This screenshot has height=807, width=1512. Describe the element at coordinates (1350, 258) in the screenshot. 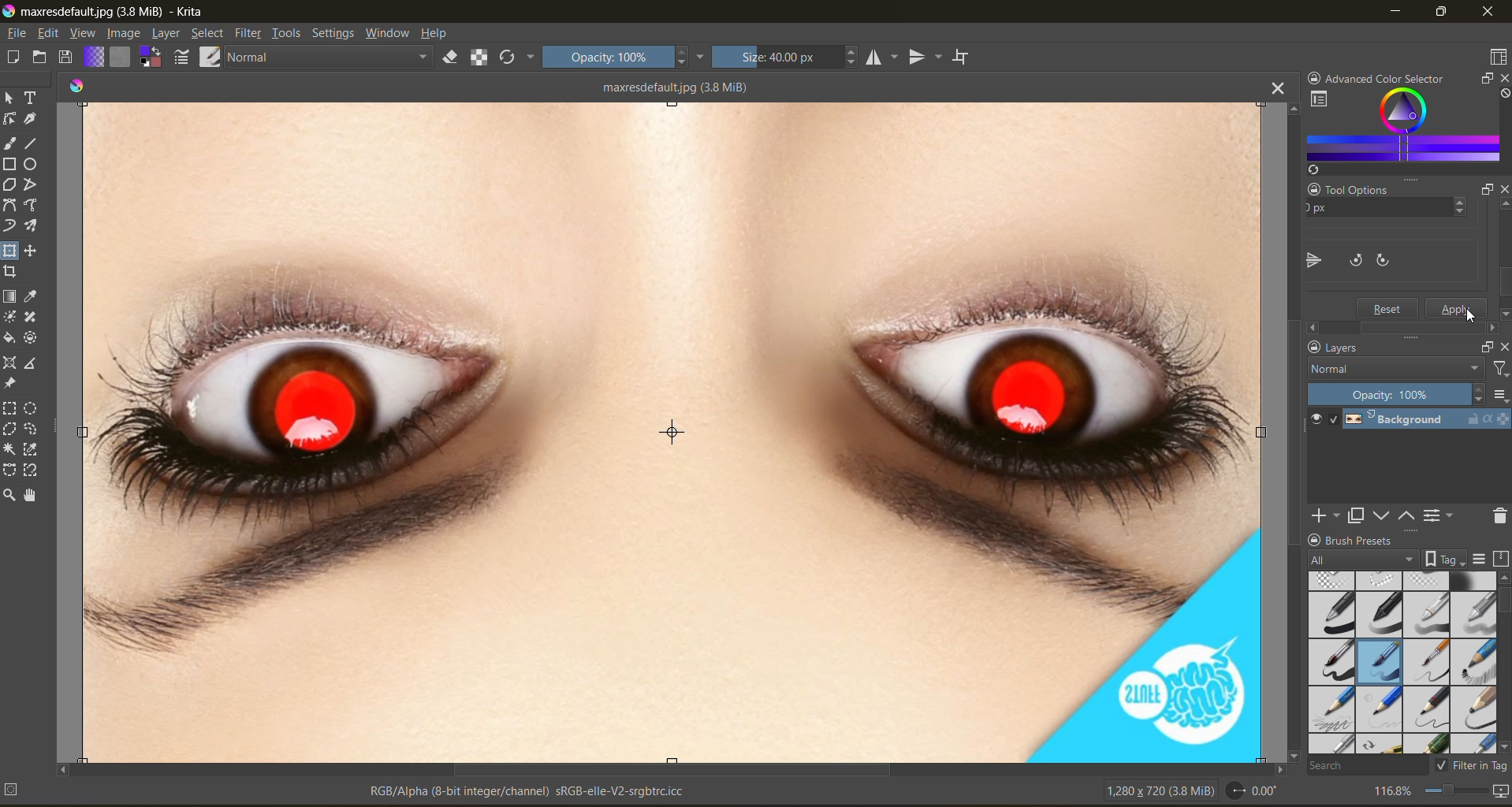

I see `flip vertically` at that location.